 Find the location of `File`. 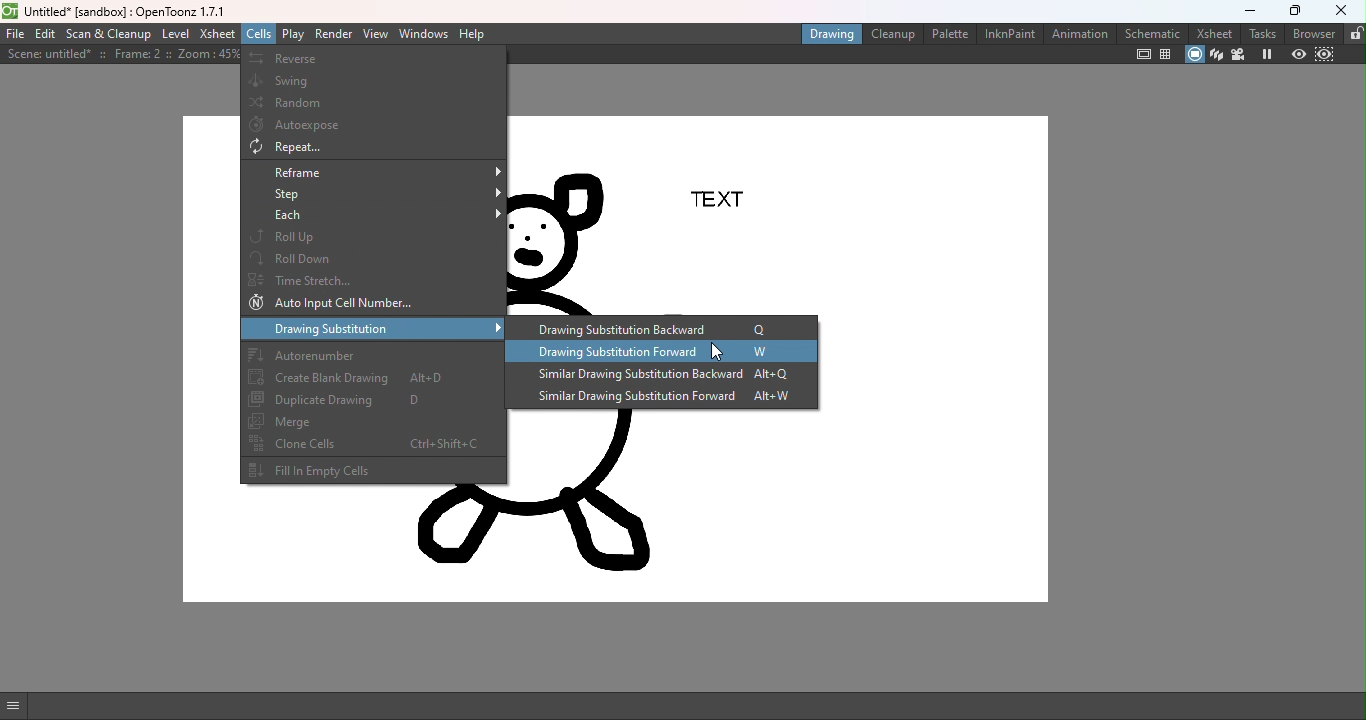

File is located at coordinates (15, 35).